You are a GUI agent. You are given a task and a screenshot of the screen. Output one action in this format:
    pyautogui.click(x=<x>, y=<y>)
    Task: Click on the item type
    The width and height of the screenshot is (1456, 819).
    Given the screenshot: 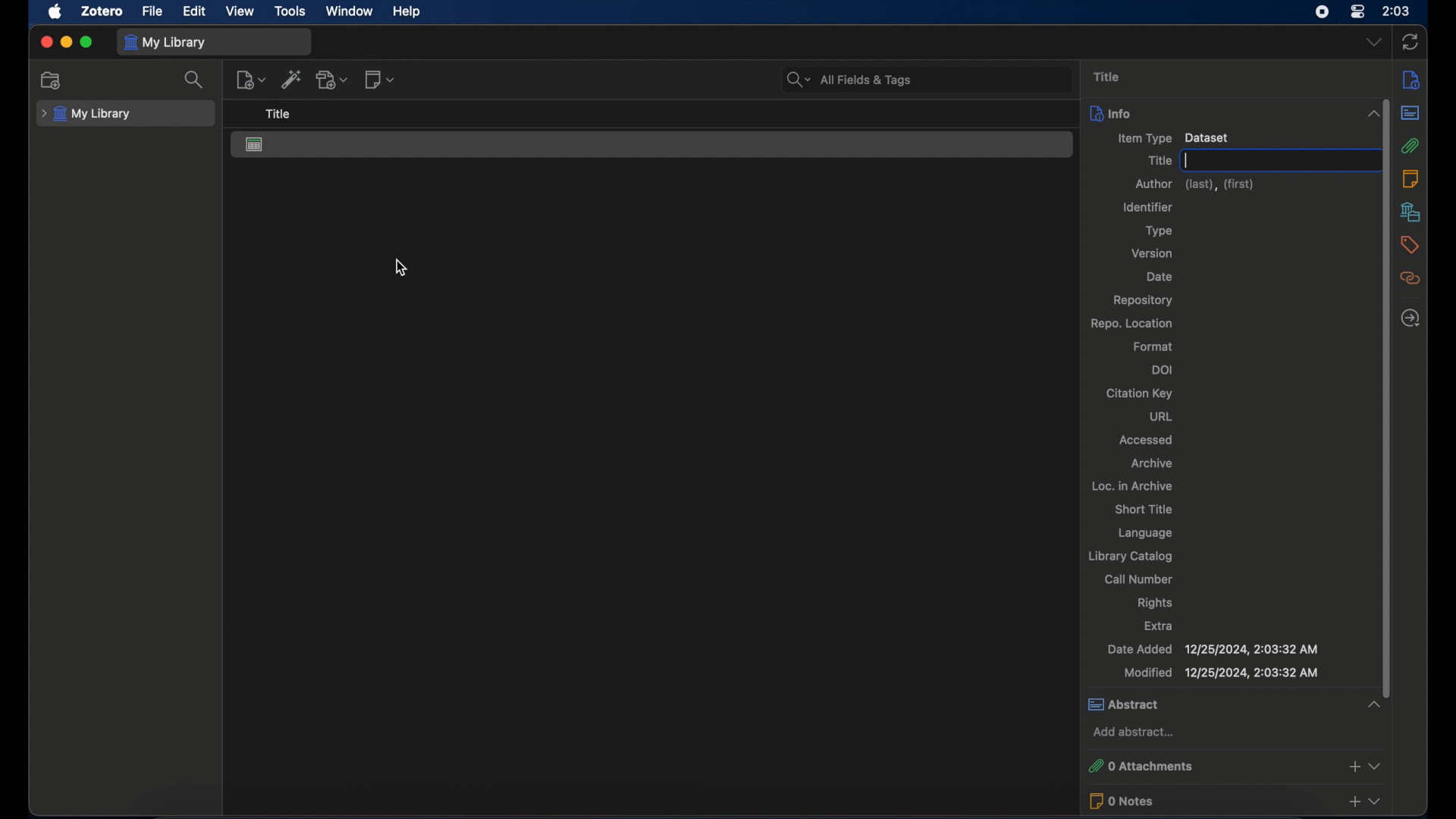 What is the action you would take?
    pyautogui.click(x=1171, y=138)
    